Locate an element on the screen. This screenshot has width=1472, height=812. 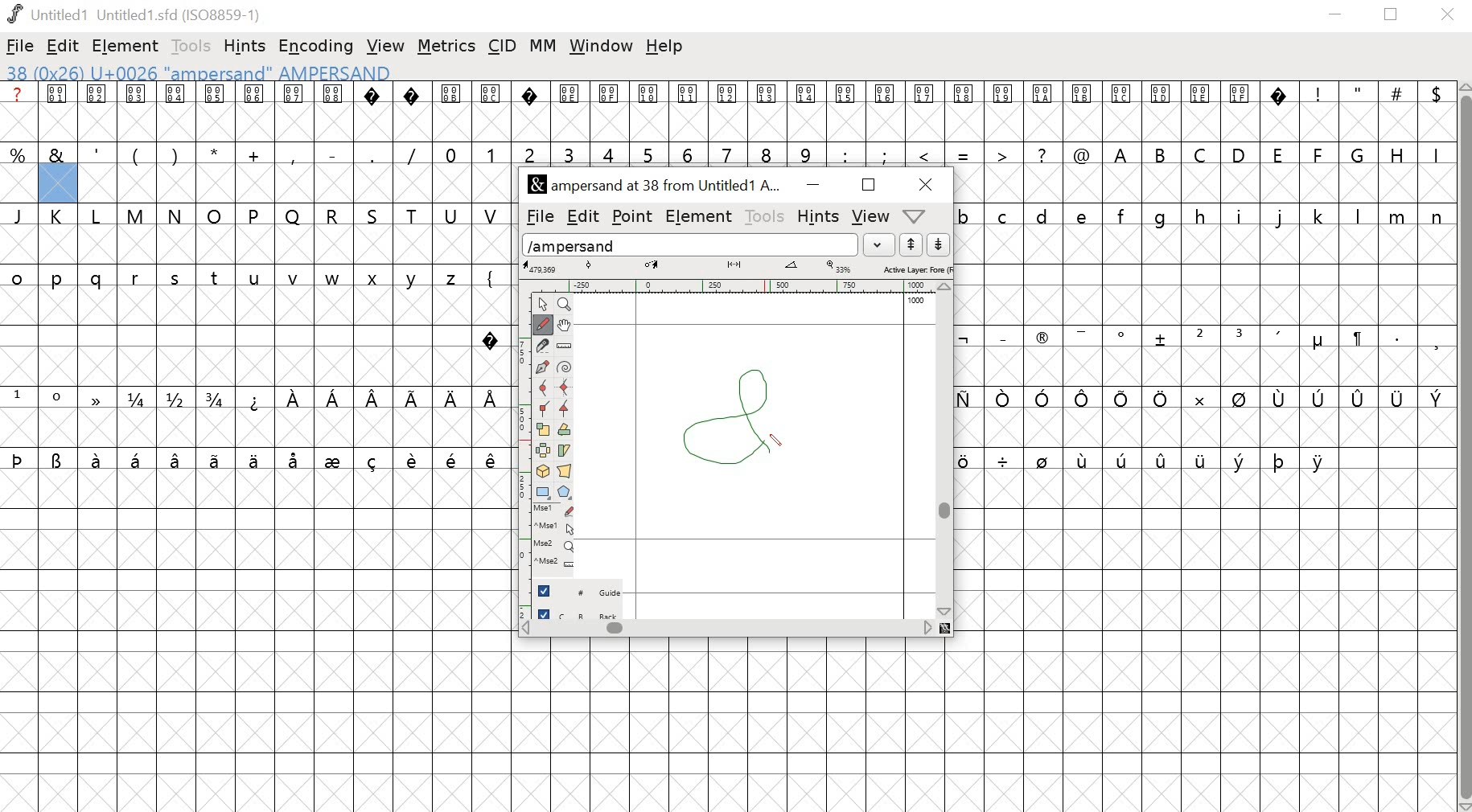
HELP is located at coordinates (913, 217).